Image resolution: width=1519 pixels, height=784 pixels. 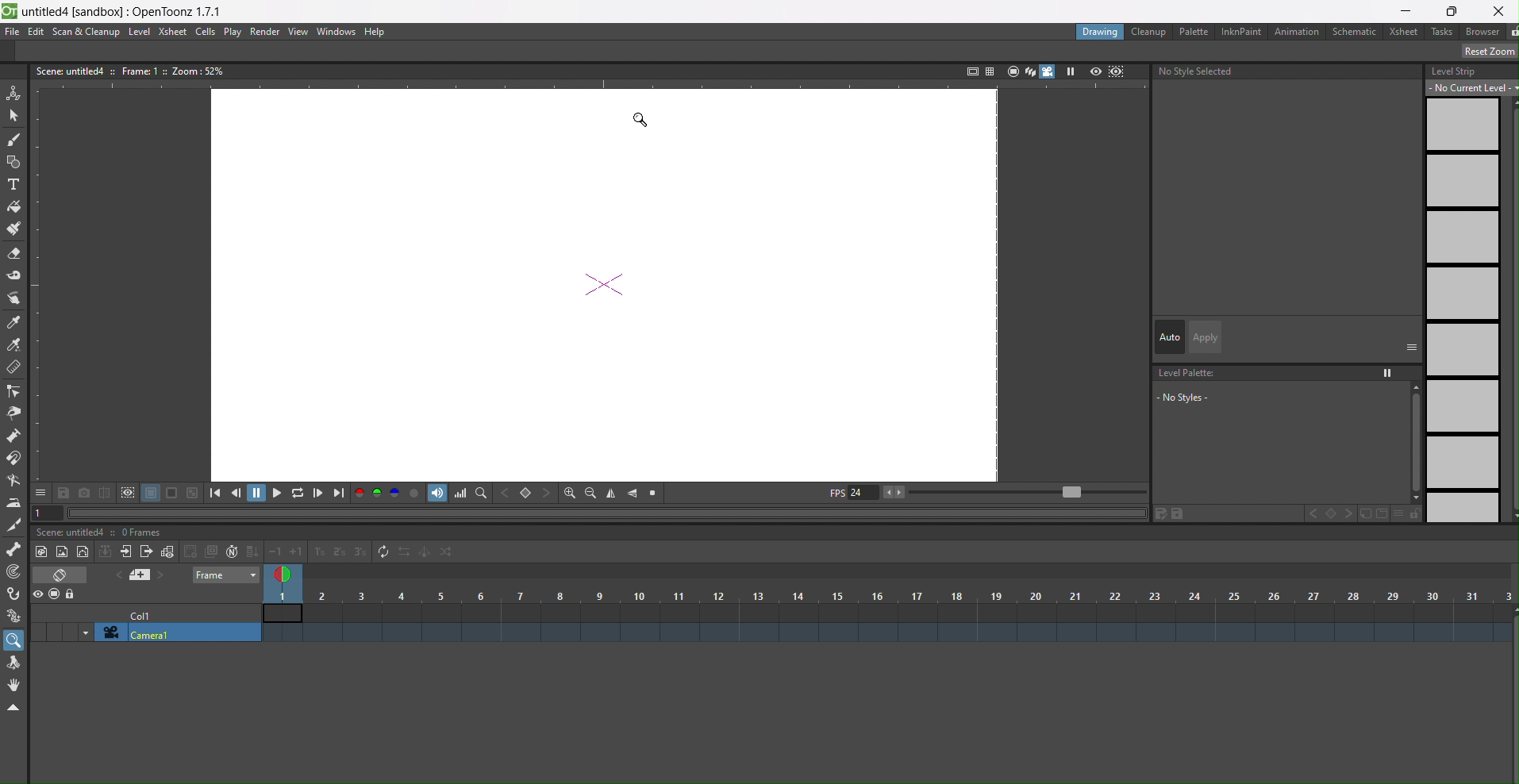 I want to click on inknpaint, so click(x=1240, y=31).